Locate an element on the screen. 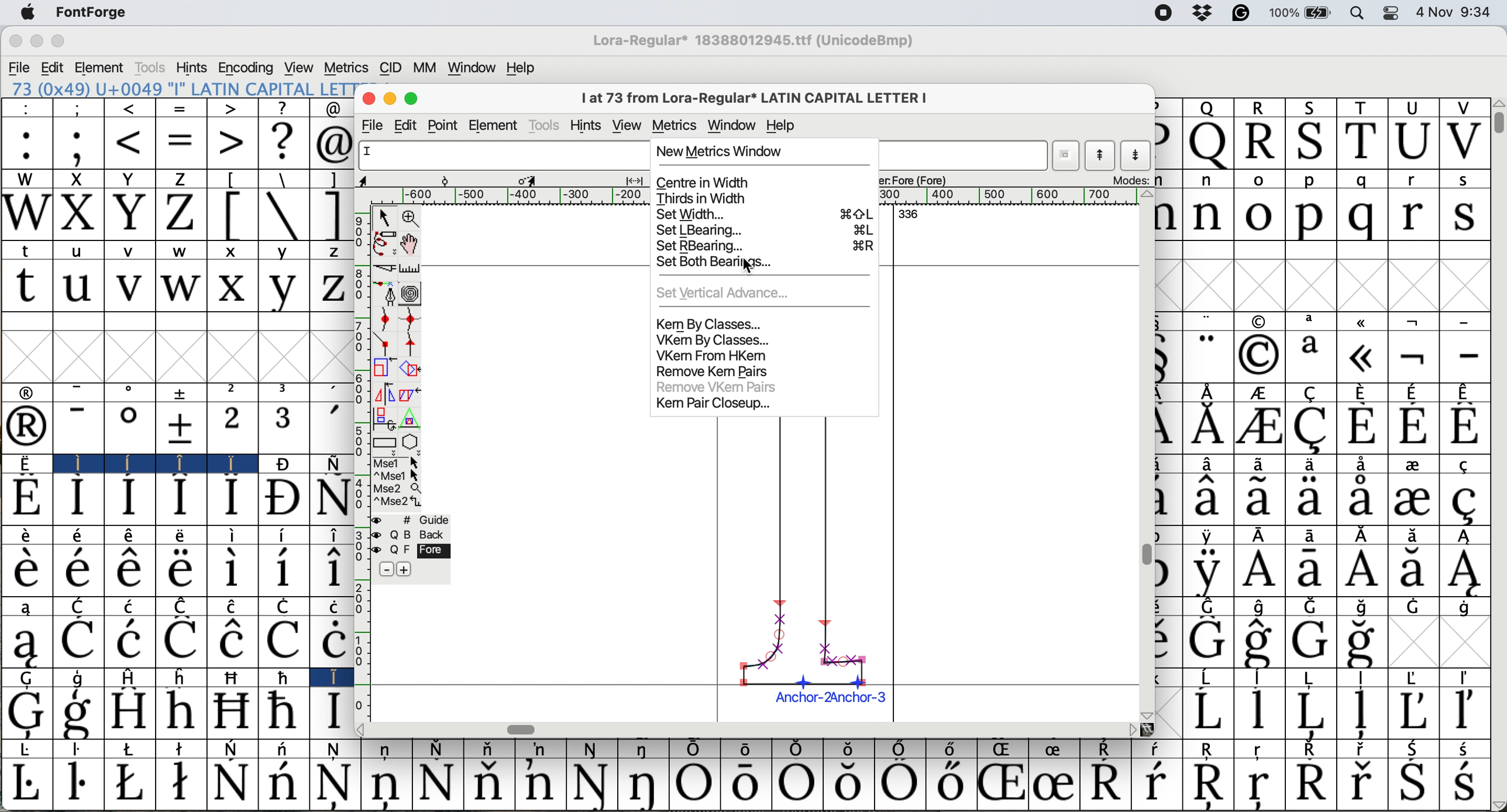  Symbol is located at coordinates (1466, 607).